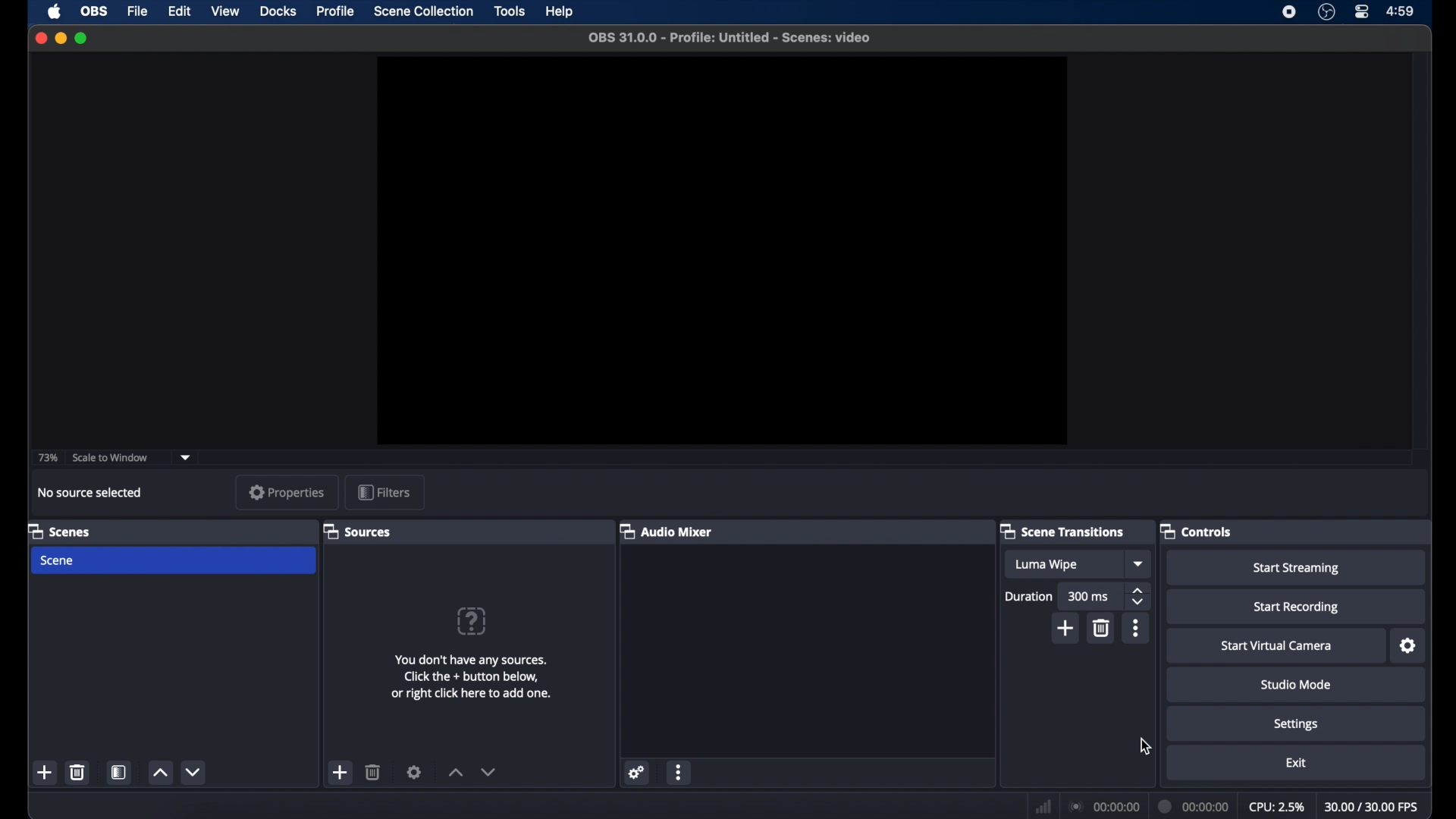 Image resolution: width=1456 pixels, height=819 pixels. Describe the element at coordinates (1407, 646) in the screenshot. I see `settings` at that location.